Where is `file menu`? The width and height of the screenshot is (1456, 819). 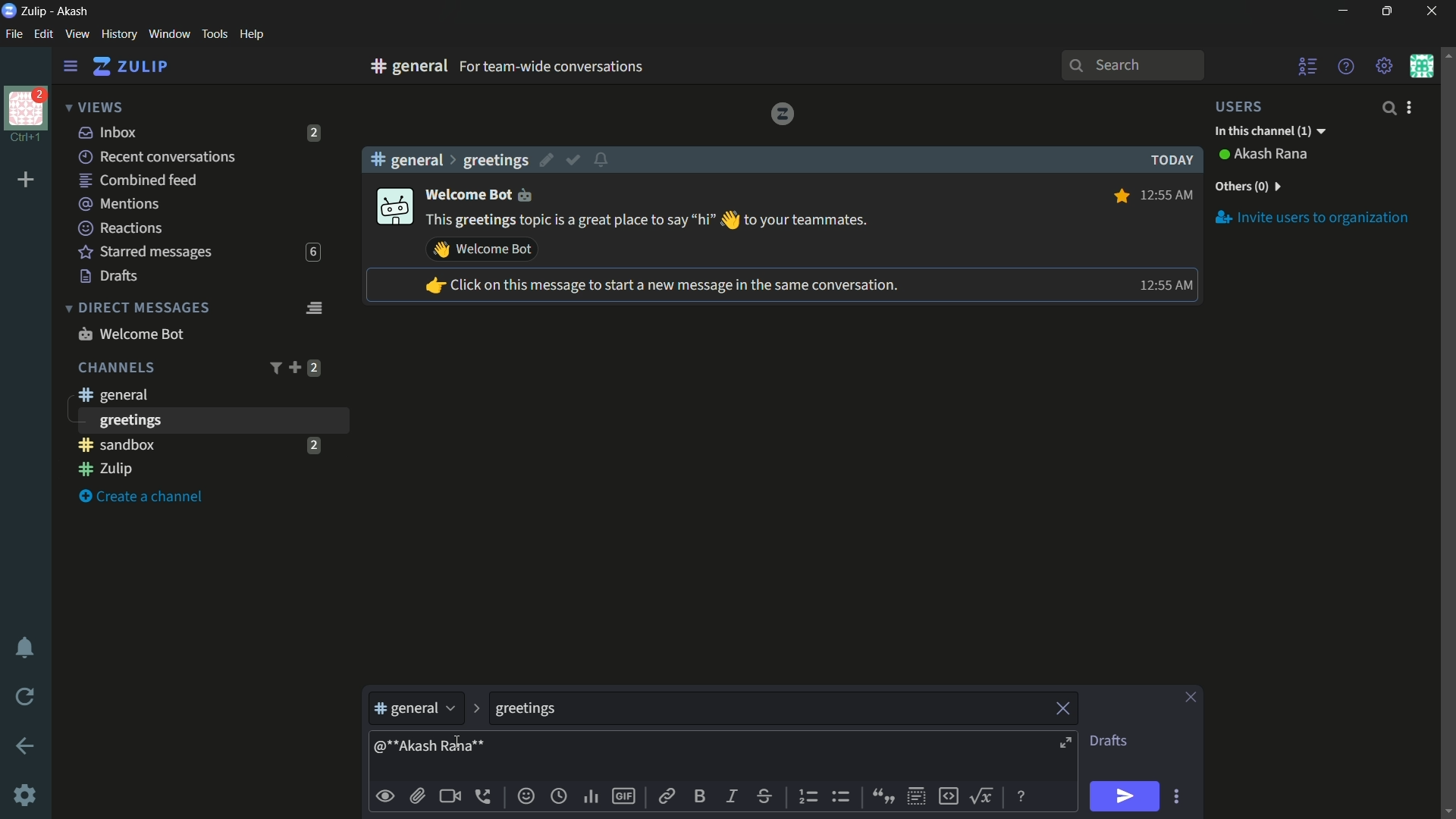 file menu is located at coordinates (14, 35).